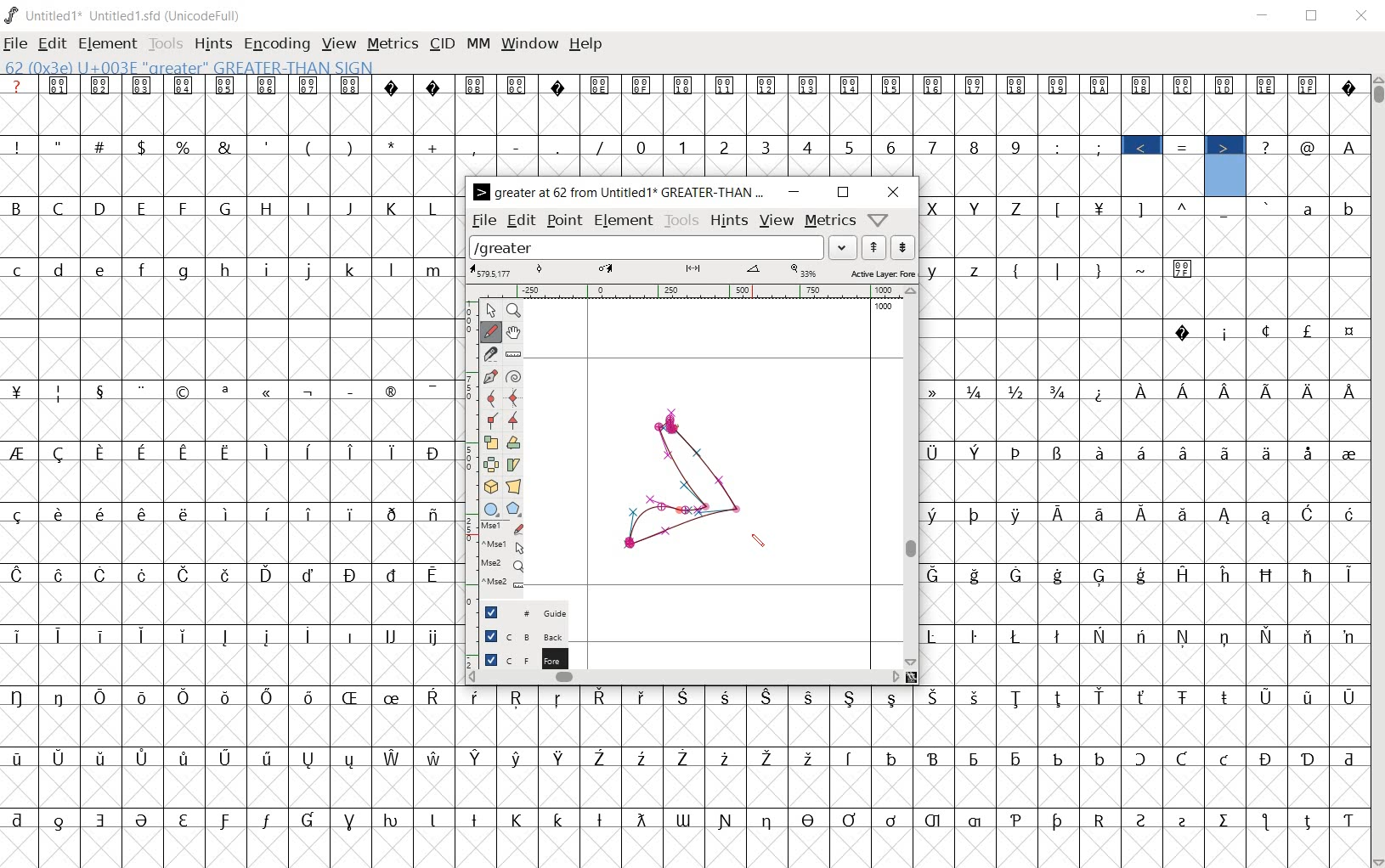 The image size is (1385, 868). I want to click on file, so click(483, 221).